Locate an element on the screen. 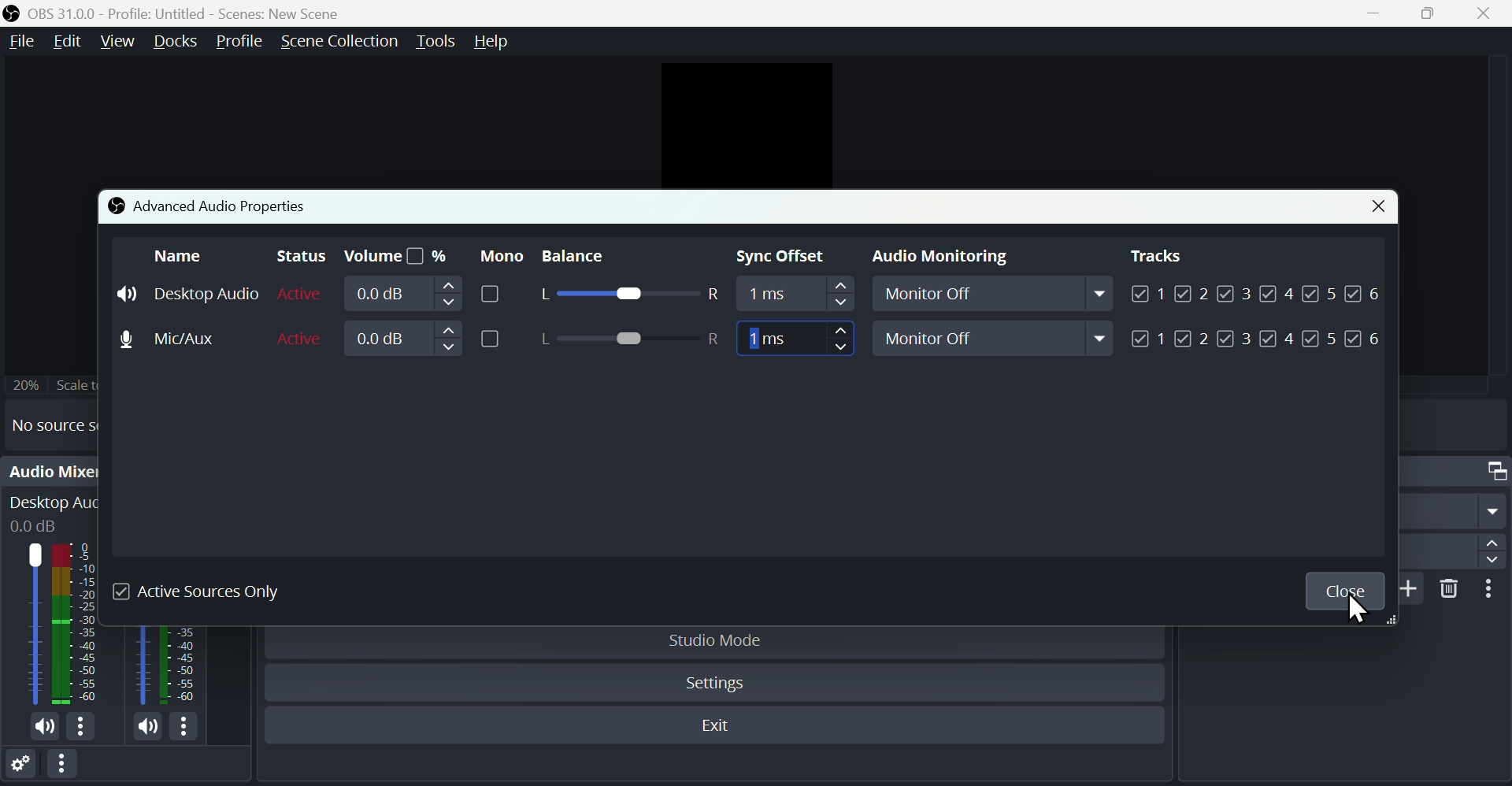  Sync Offset is located at coordinates (793, 296).